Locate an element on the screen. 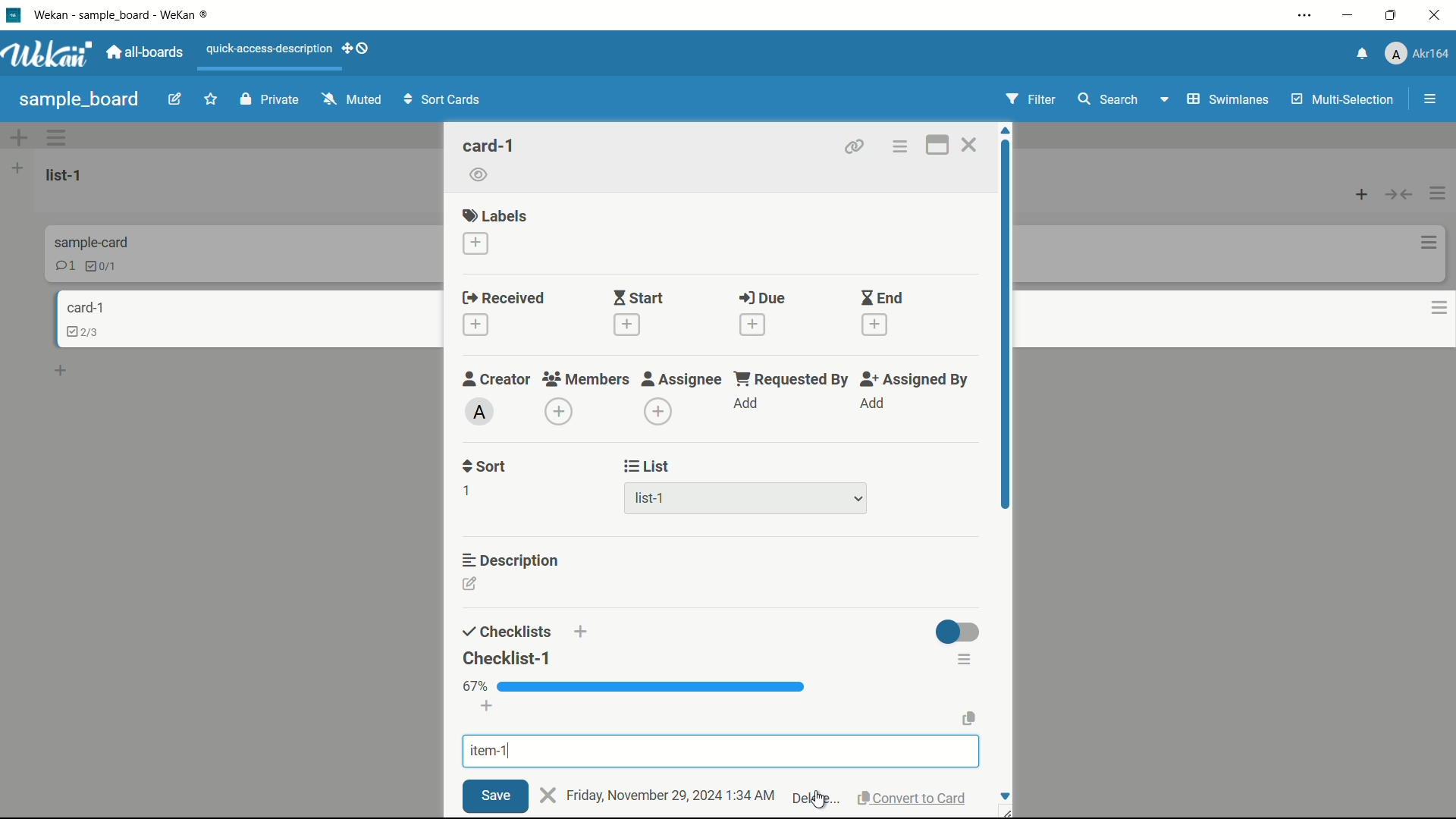 The width and height of the screenshot is (1456, 819). cursor is located at coordinates (822, 788).